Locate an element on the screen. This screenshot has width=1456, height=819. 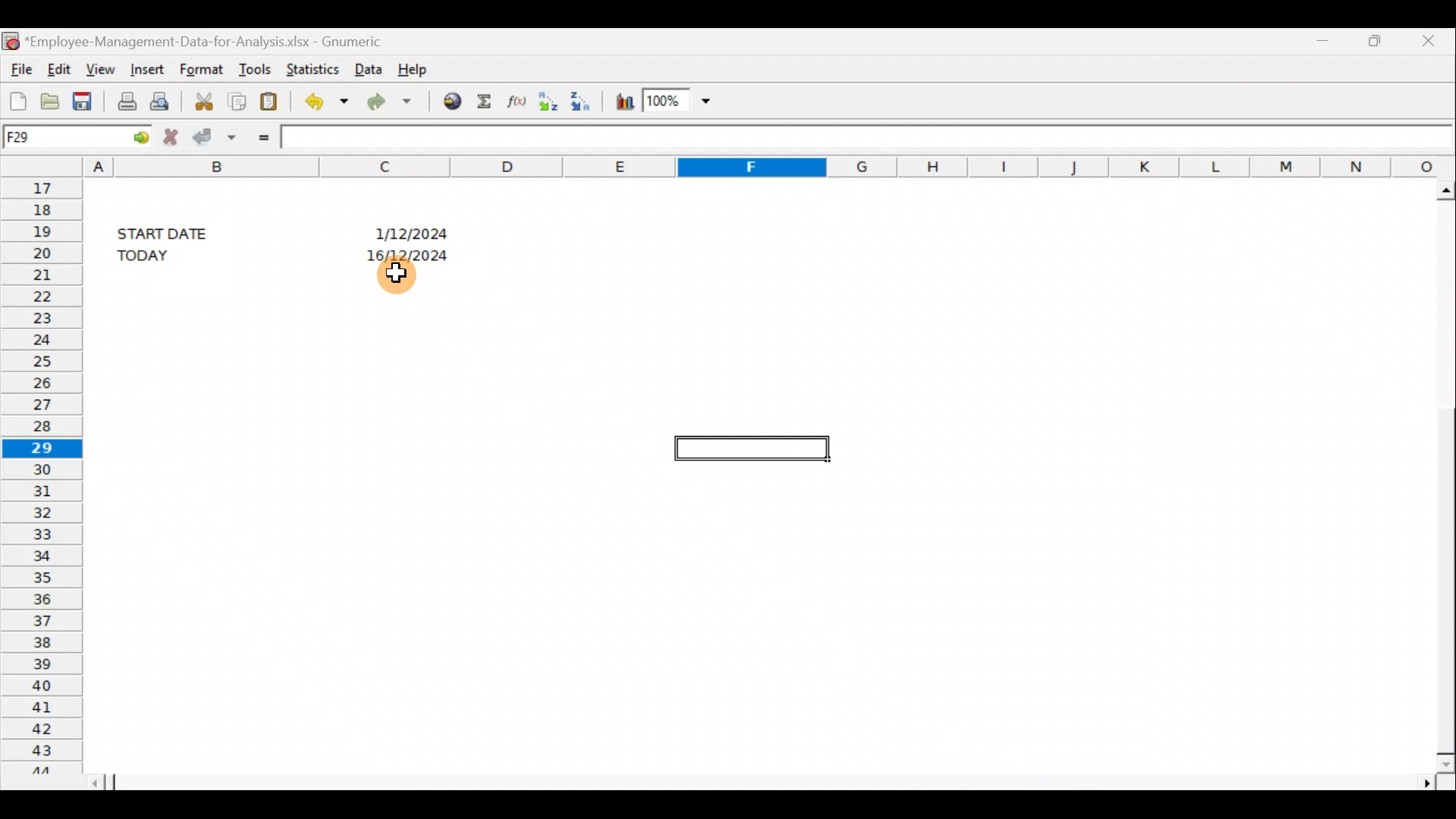
Enter formula is located at coordinates (260, 136).